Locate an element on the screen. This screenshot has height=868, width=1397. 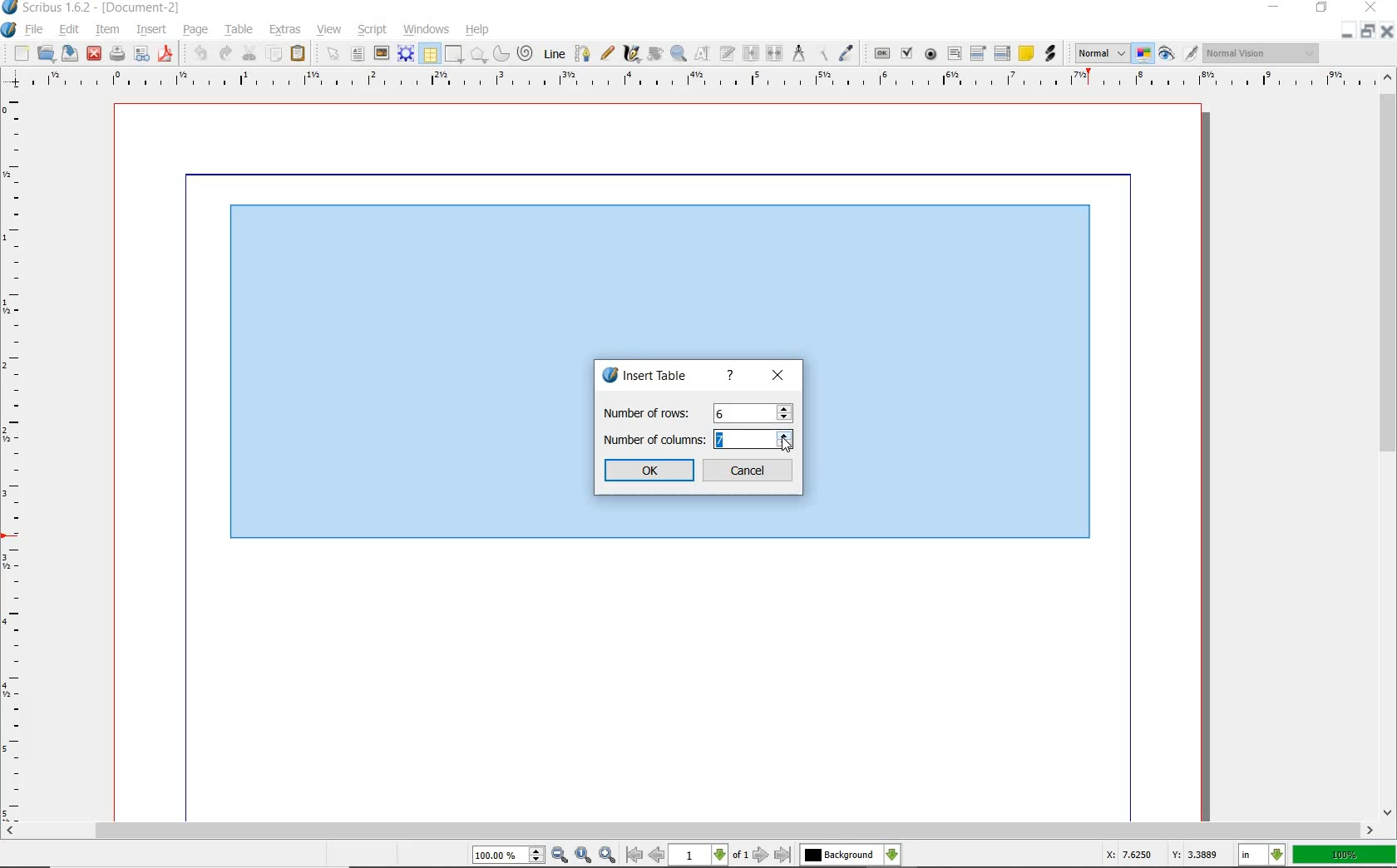
pdf push button is located at coordinates (882, 54).